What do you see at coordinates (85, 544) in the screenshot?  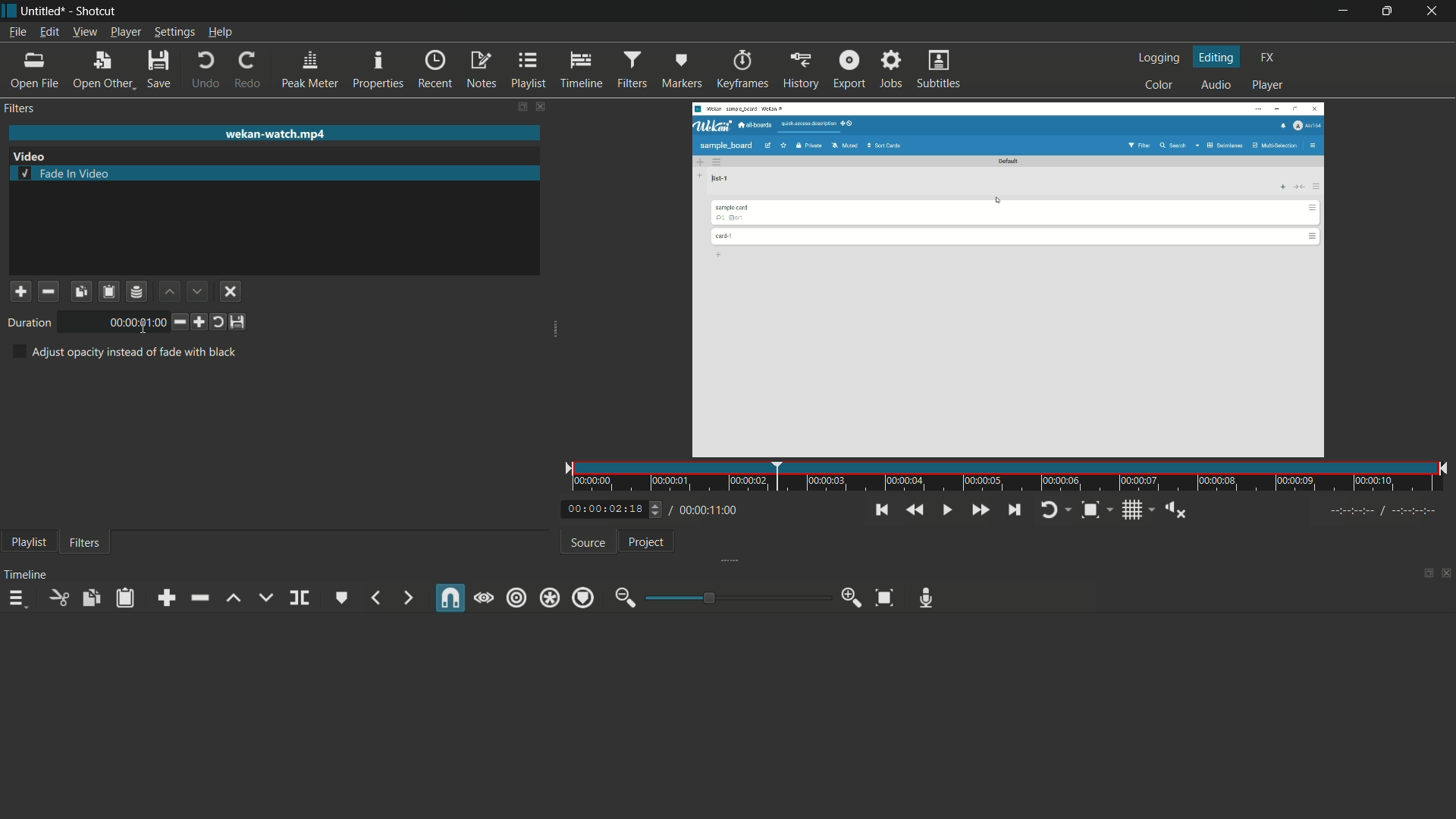 I see `filters` at bounding box center [85, 544].